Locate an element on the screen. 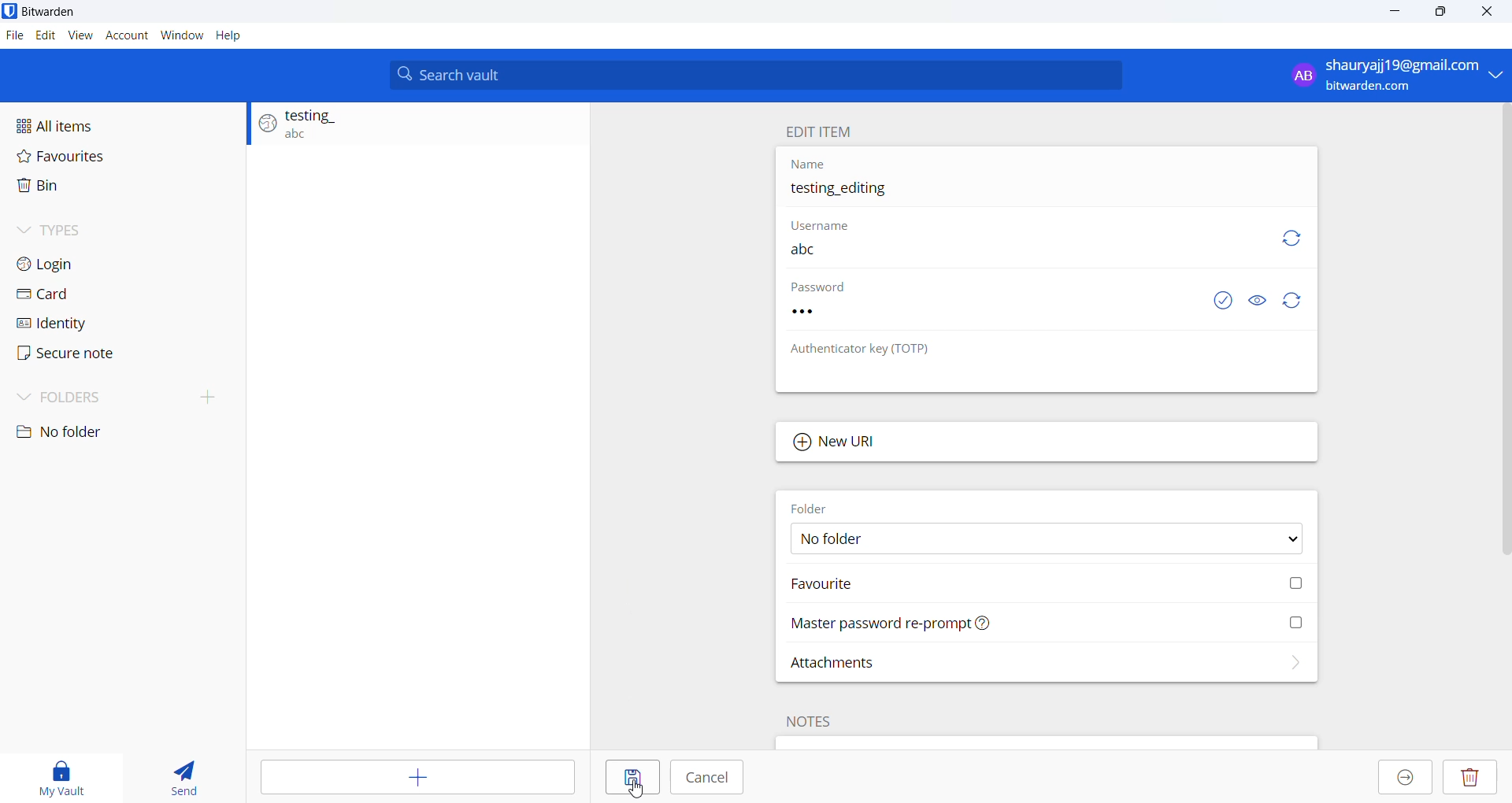  Add item is located at coordinates (415, 778).